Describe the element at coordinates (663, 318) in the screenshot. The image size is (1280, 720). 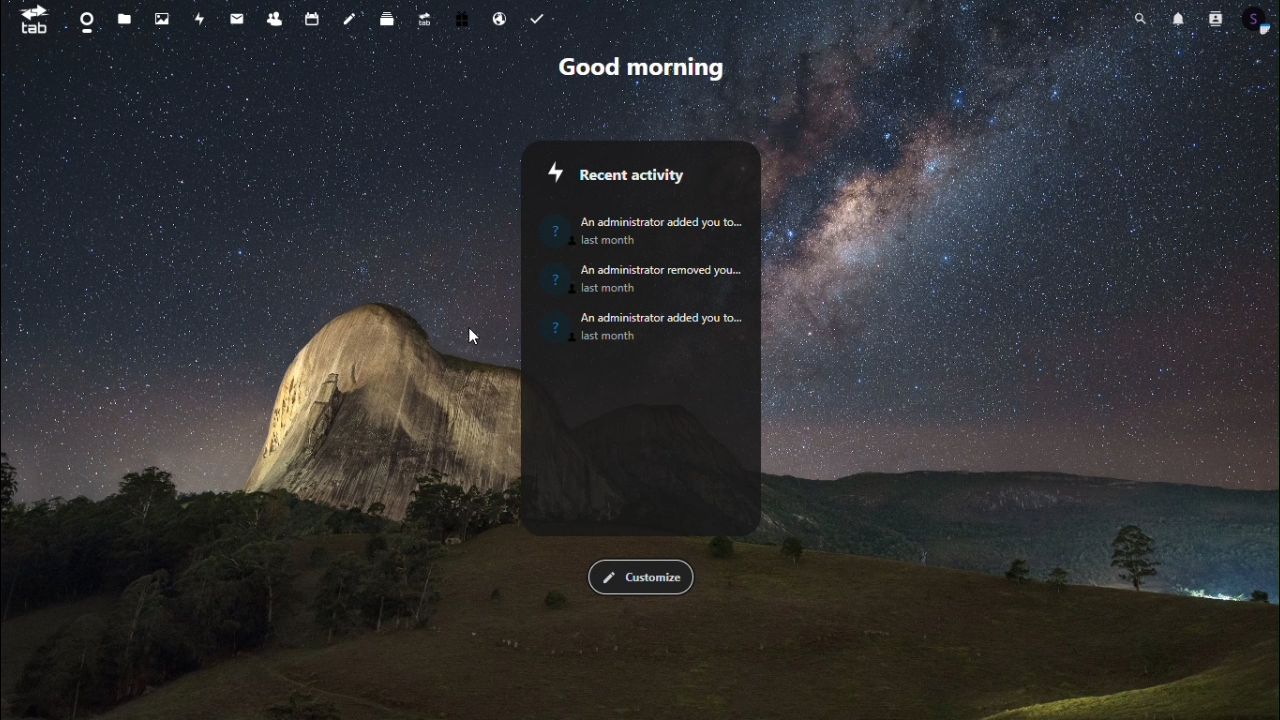
I see `‘An administrator added you to...` at that location.